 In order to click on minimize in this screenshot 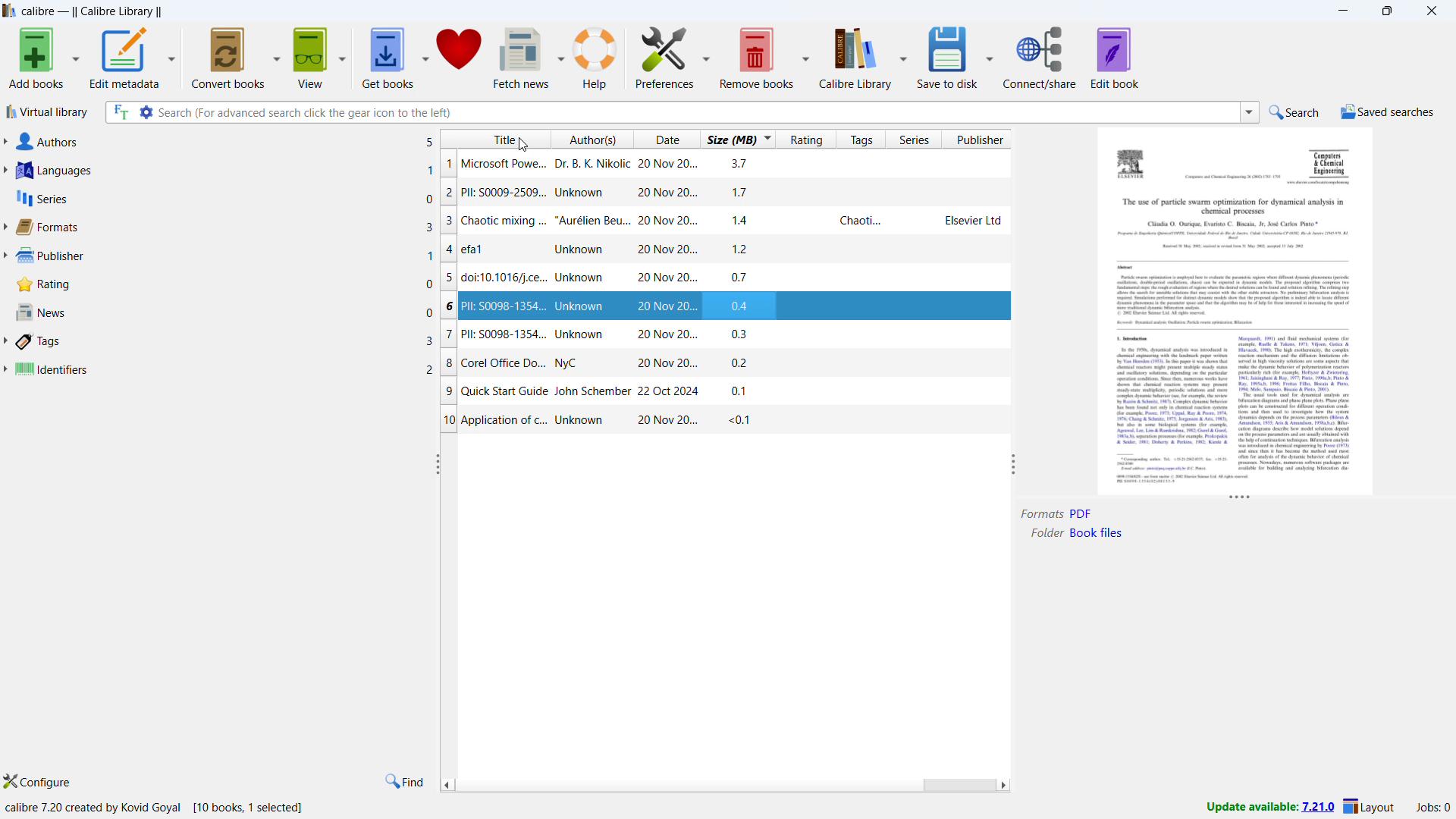, I will do `click(1342, 9)`.